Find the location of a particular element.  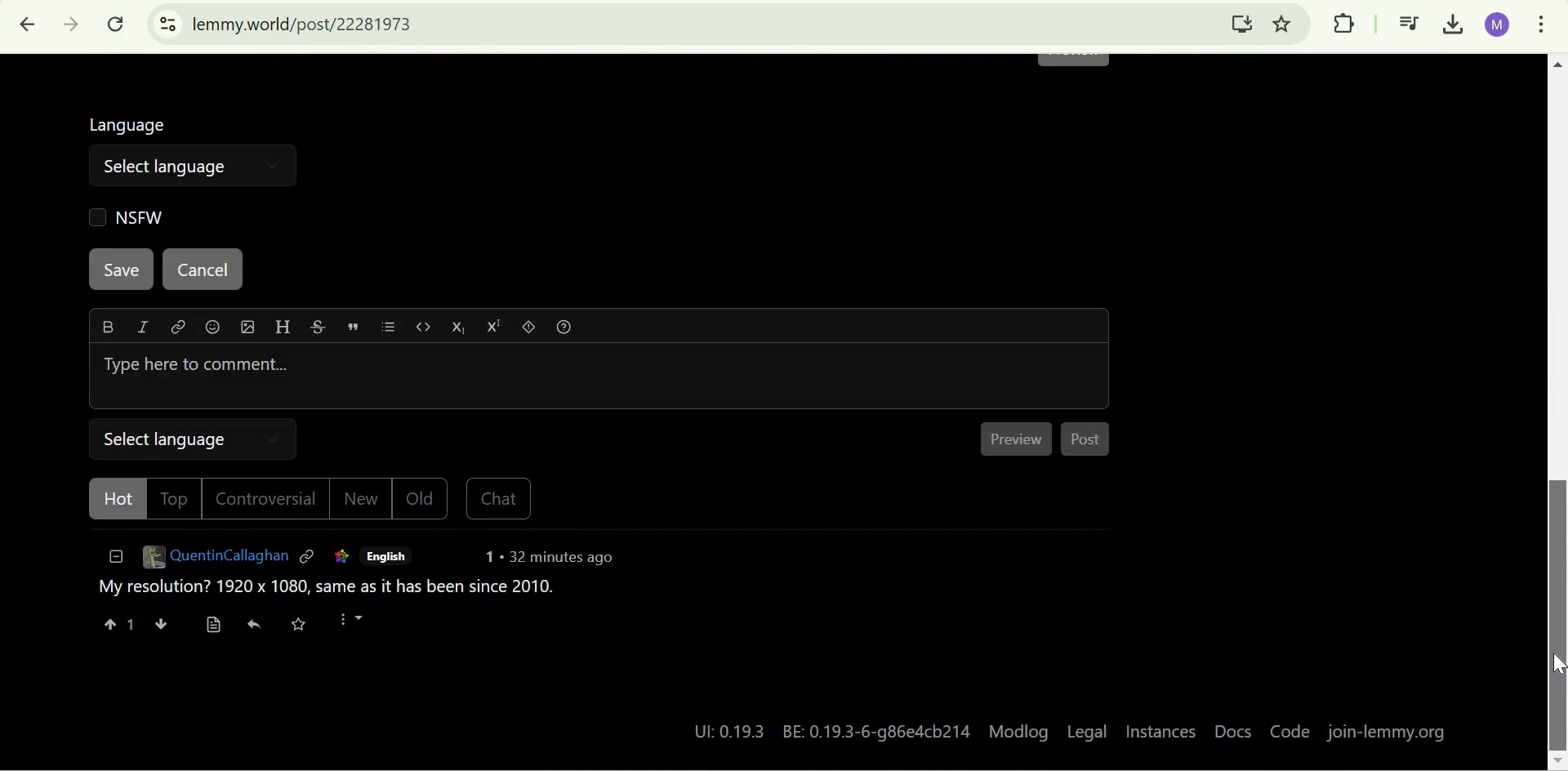

View site information is located at coordinates (167, 25).